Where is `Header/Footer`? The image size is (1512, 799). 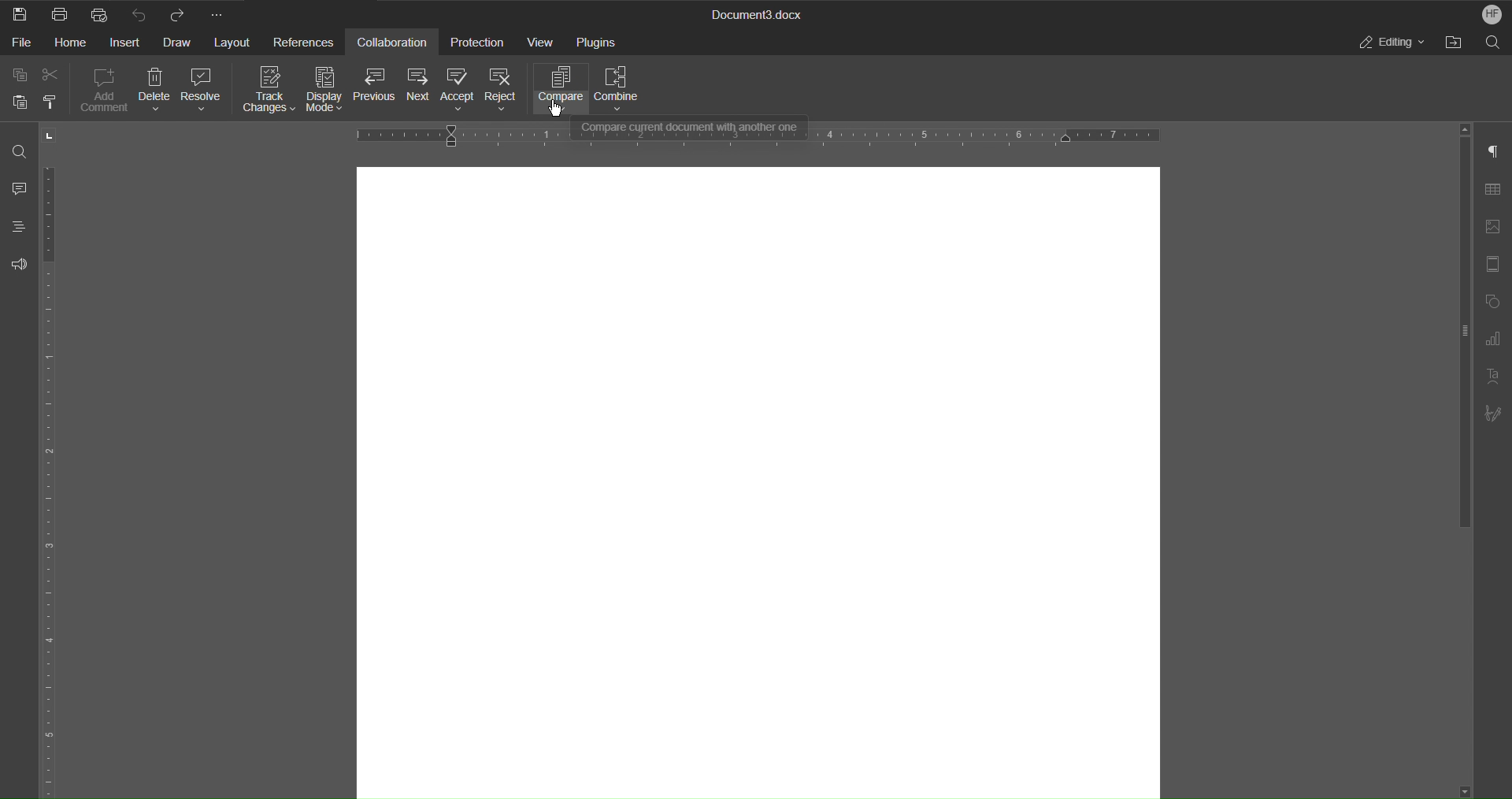
Header/Footer is located at coordinates (1495, 262).